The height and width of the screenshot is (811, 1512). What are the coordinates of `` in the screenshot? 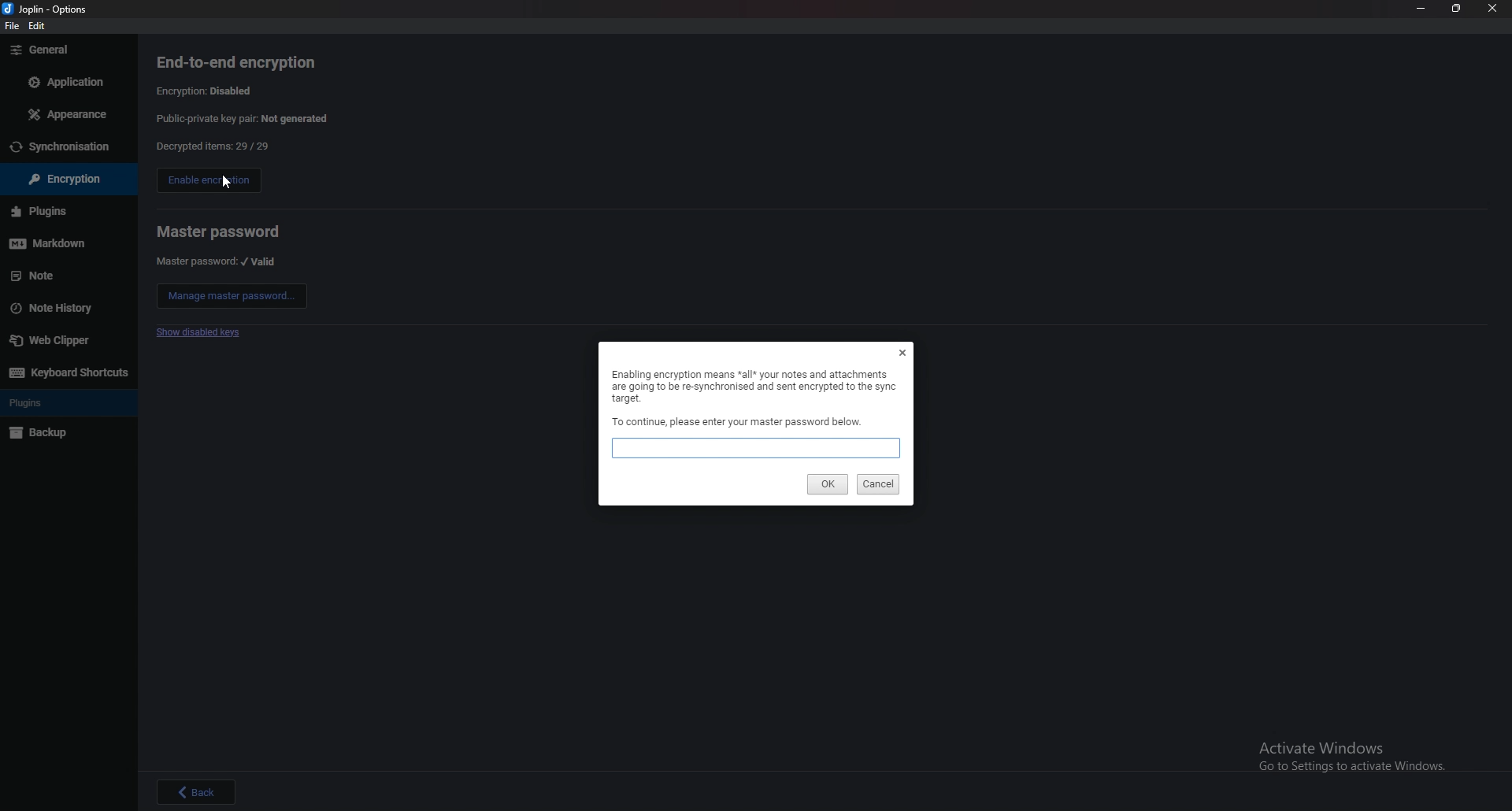 It's located at (46, 246).